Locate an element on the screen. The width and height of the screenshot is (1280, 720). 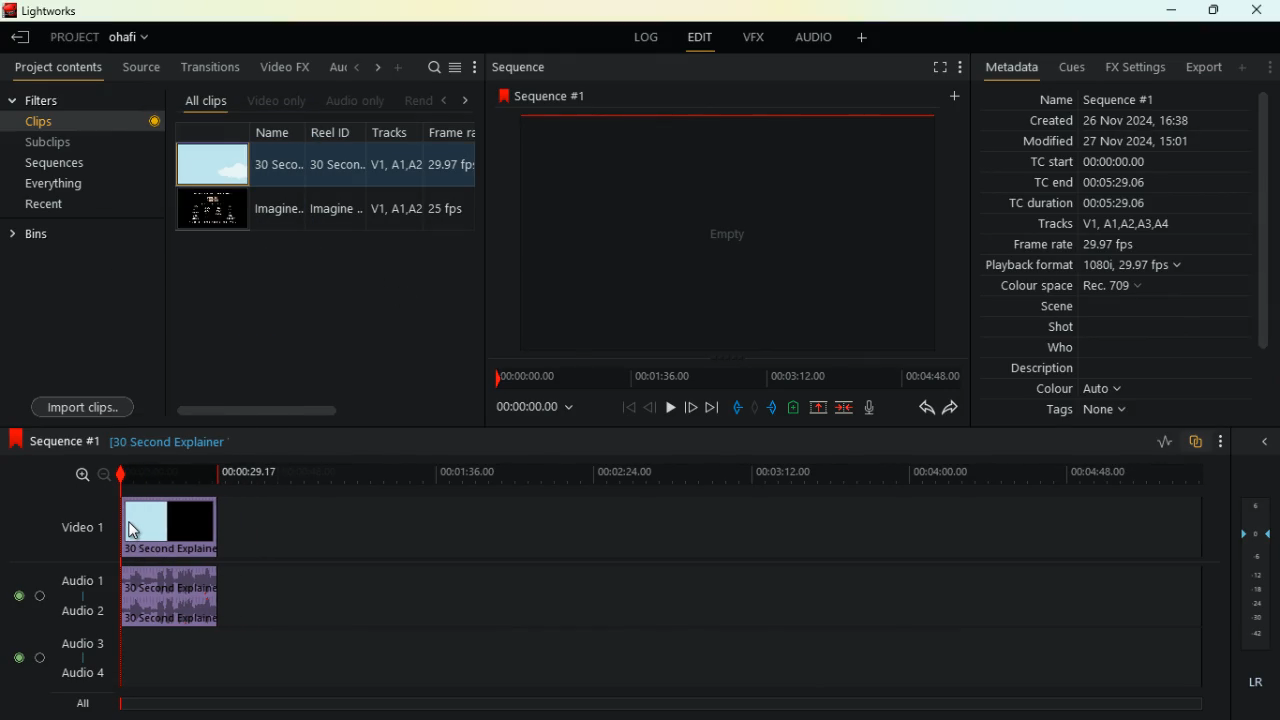
mic is located at coordinates (868, 408).